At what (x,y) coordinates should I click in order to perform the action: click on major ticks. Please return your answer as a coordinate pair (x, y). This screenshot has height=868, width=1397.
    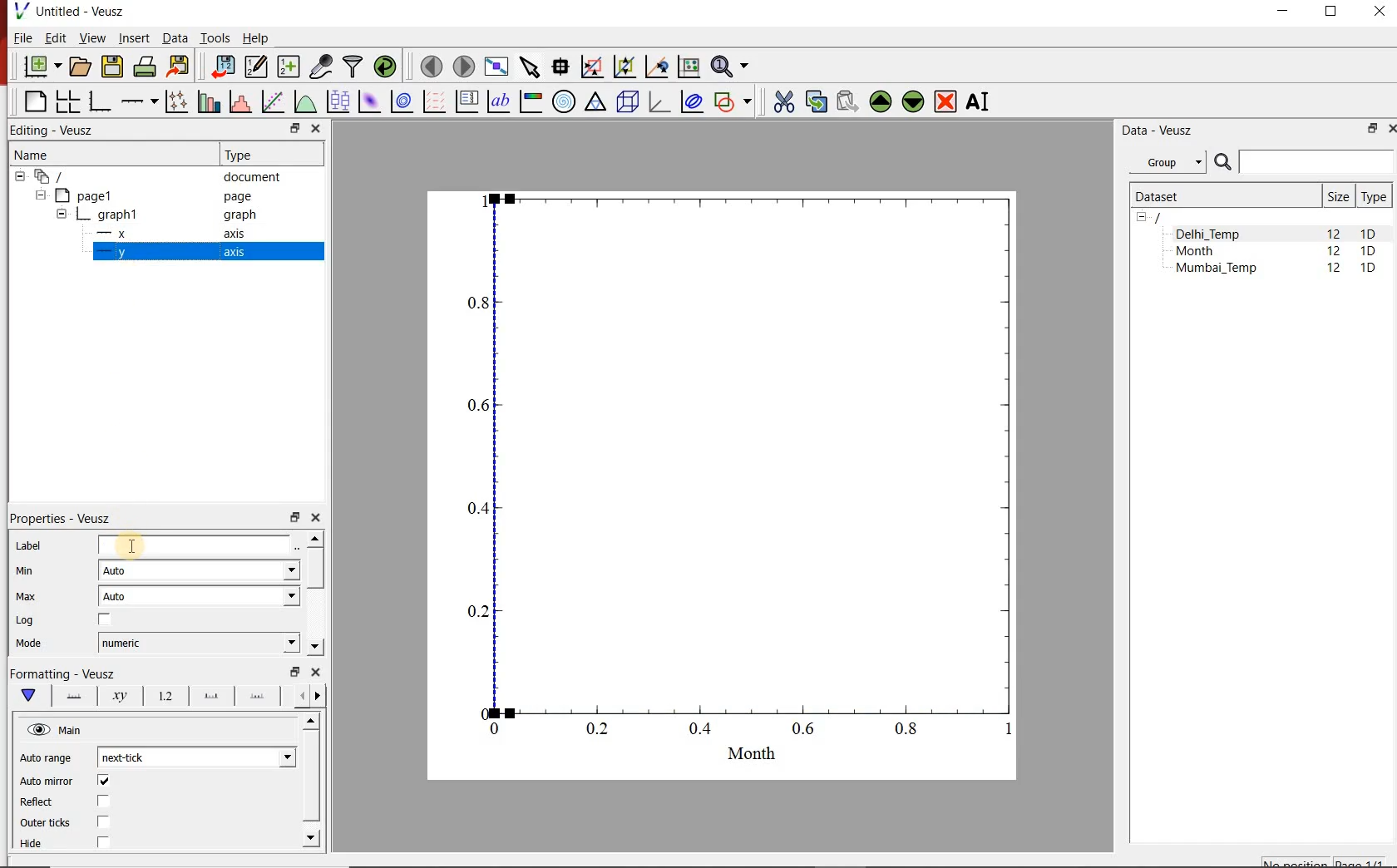
    Looking at the image, I should click on (209, 696).